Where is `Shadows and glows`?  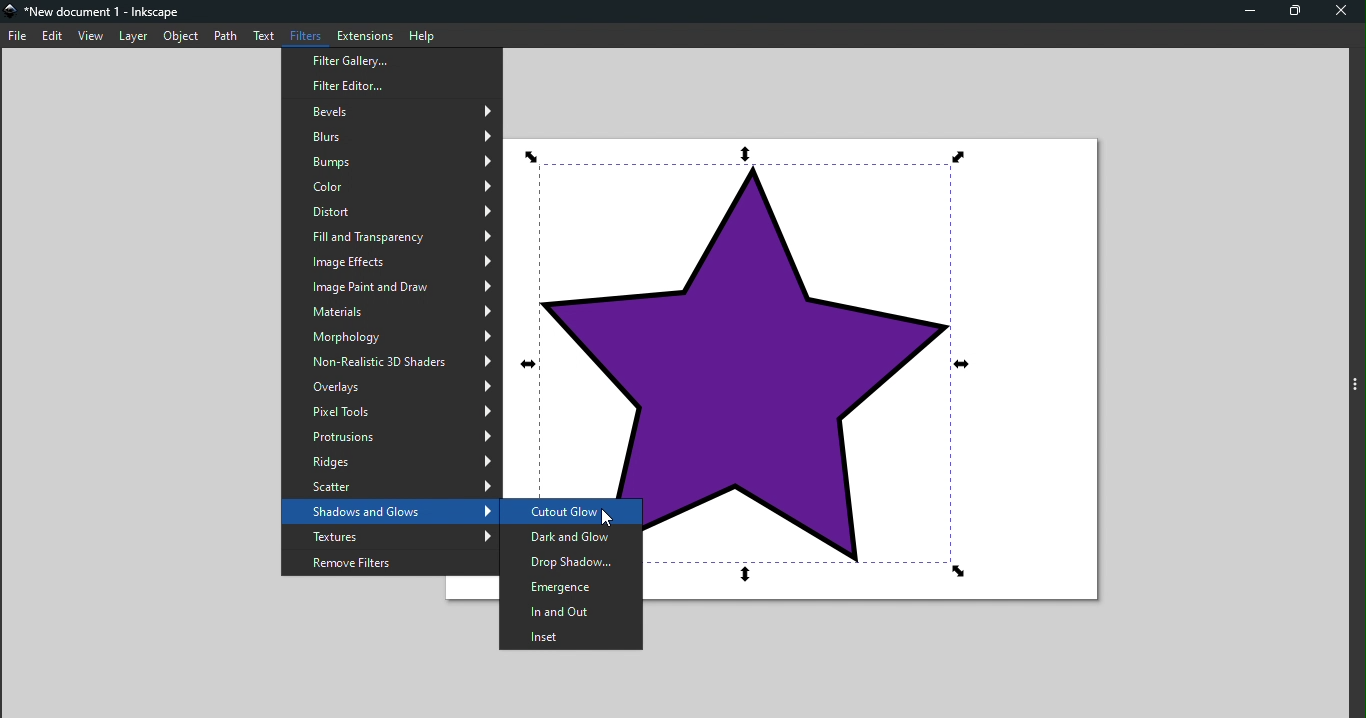
Shadows and glows is located at coordinates (391, 511).